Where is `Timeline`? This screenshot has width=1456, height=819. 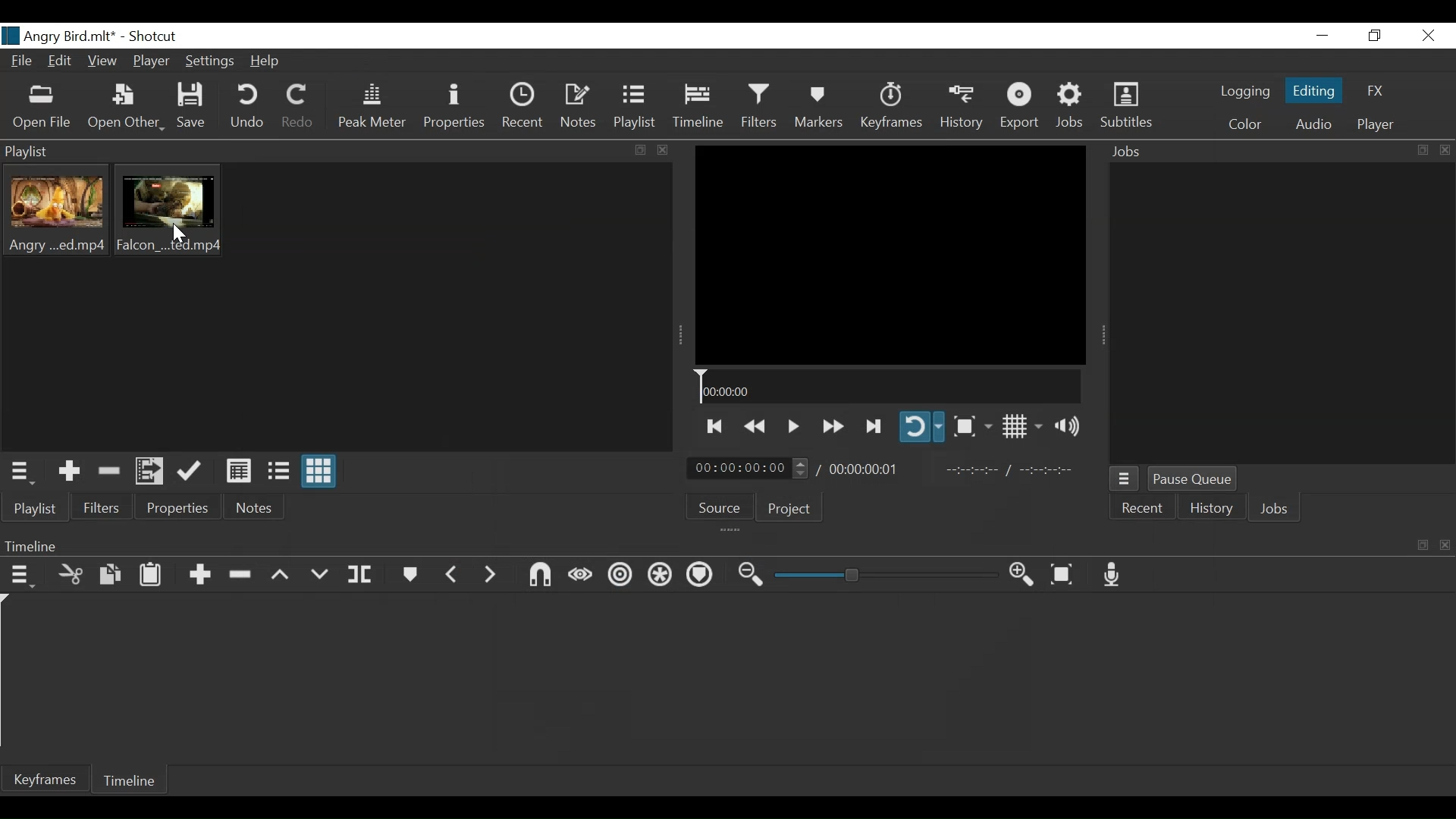
Timeline is located at coordinates (699, 106).